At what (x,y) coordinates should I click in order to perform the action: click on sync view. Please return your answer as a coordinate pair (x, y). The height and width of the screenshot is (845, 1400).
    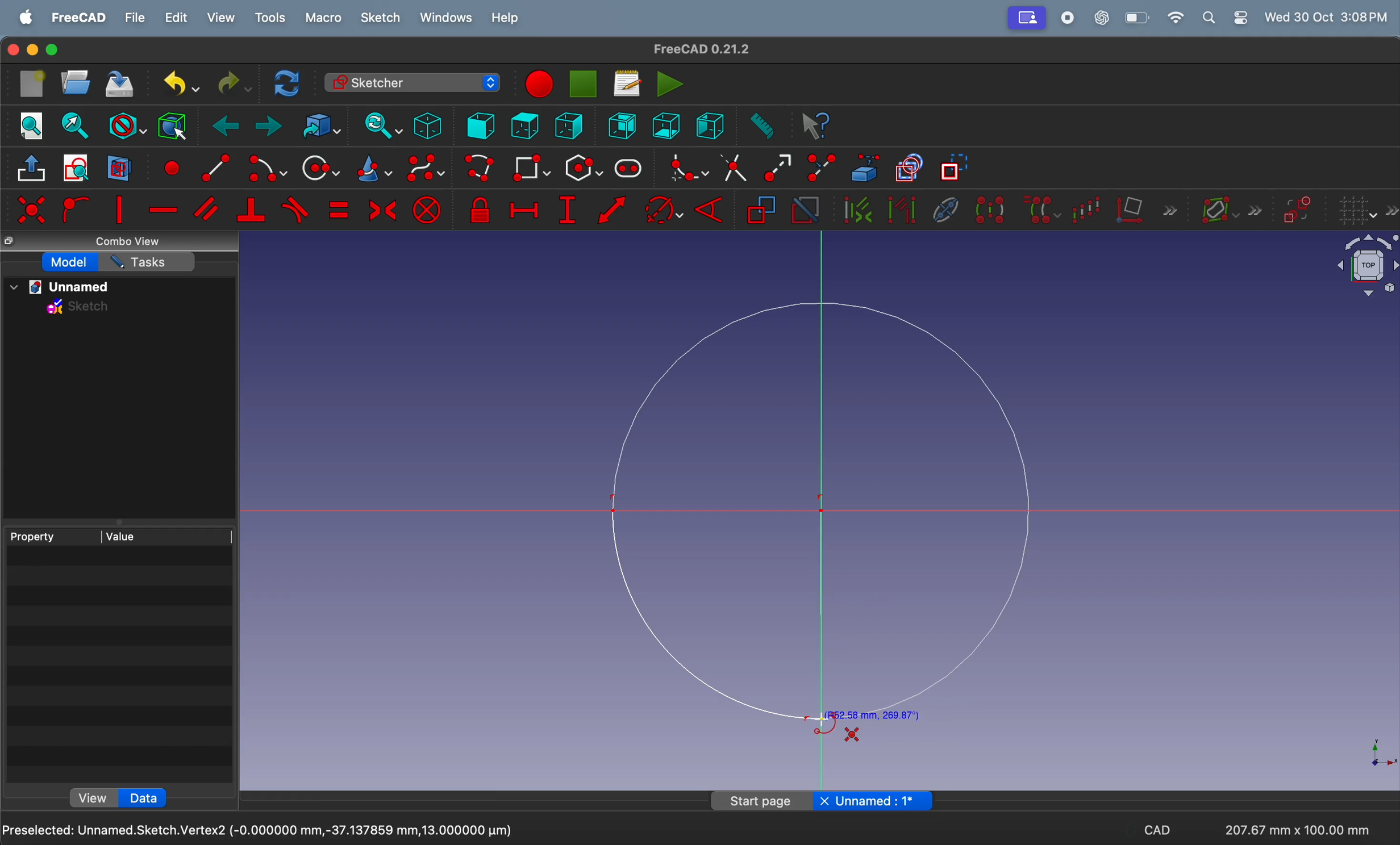
    Looking at the image, I should click on (378, 126).